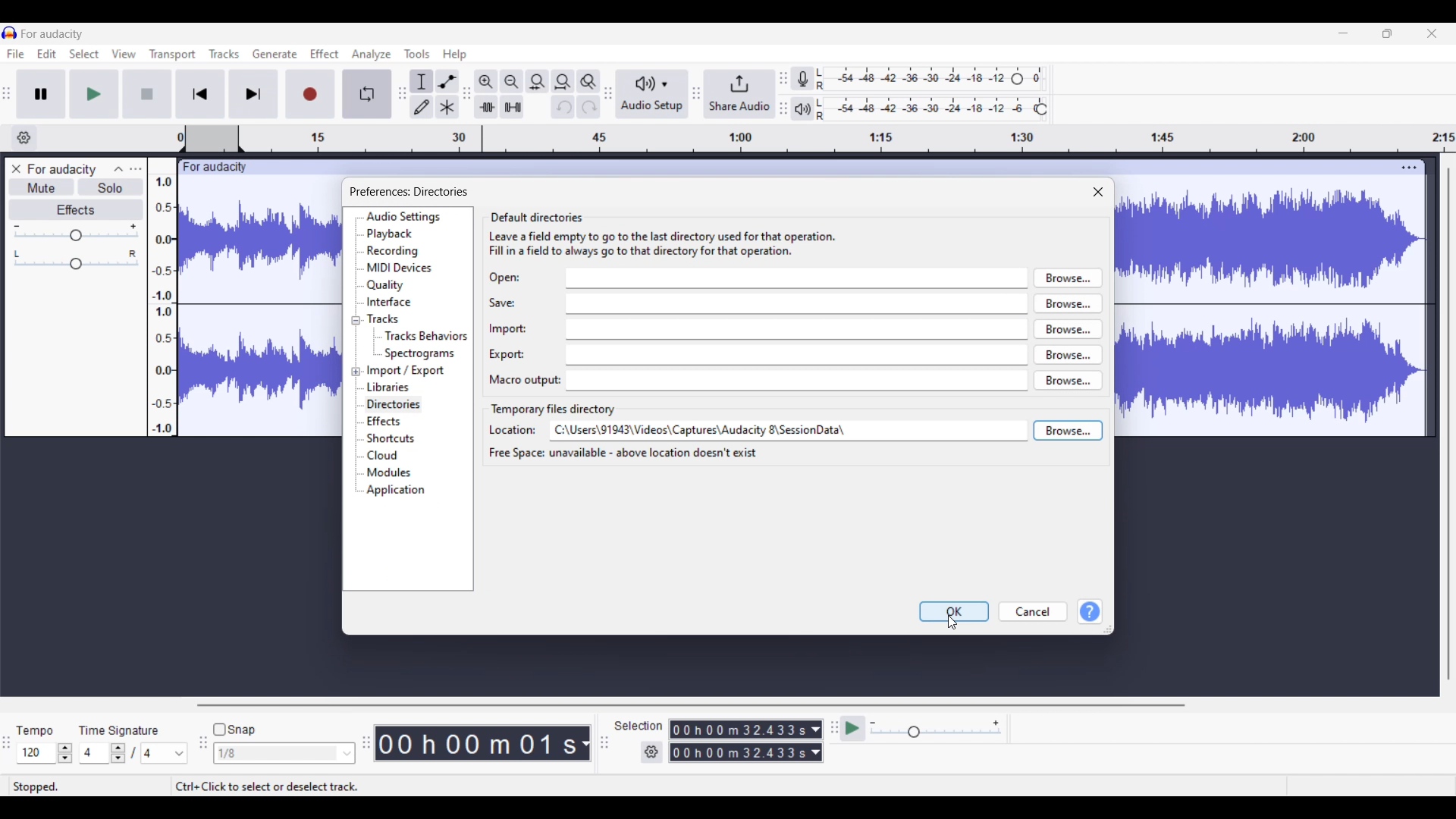 The height and width of the screenshot is (819, 1456). Describe the element at coordinates (84, 54) in the screenshot. I see `Select menu` at that location.